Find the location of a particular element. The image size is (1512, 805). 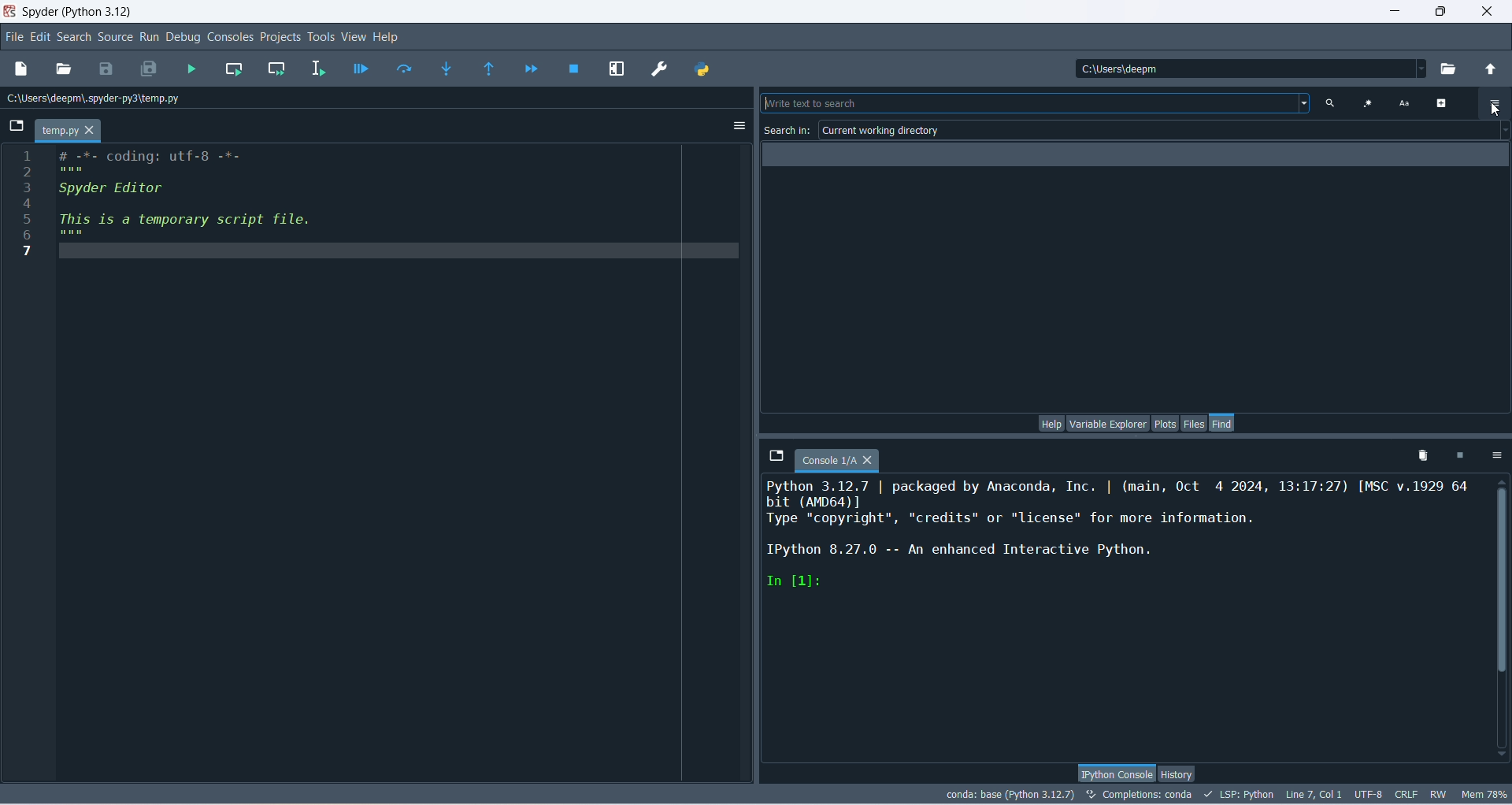

maximize is located at coordinates (1440, 12).